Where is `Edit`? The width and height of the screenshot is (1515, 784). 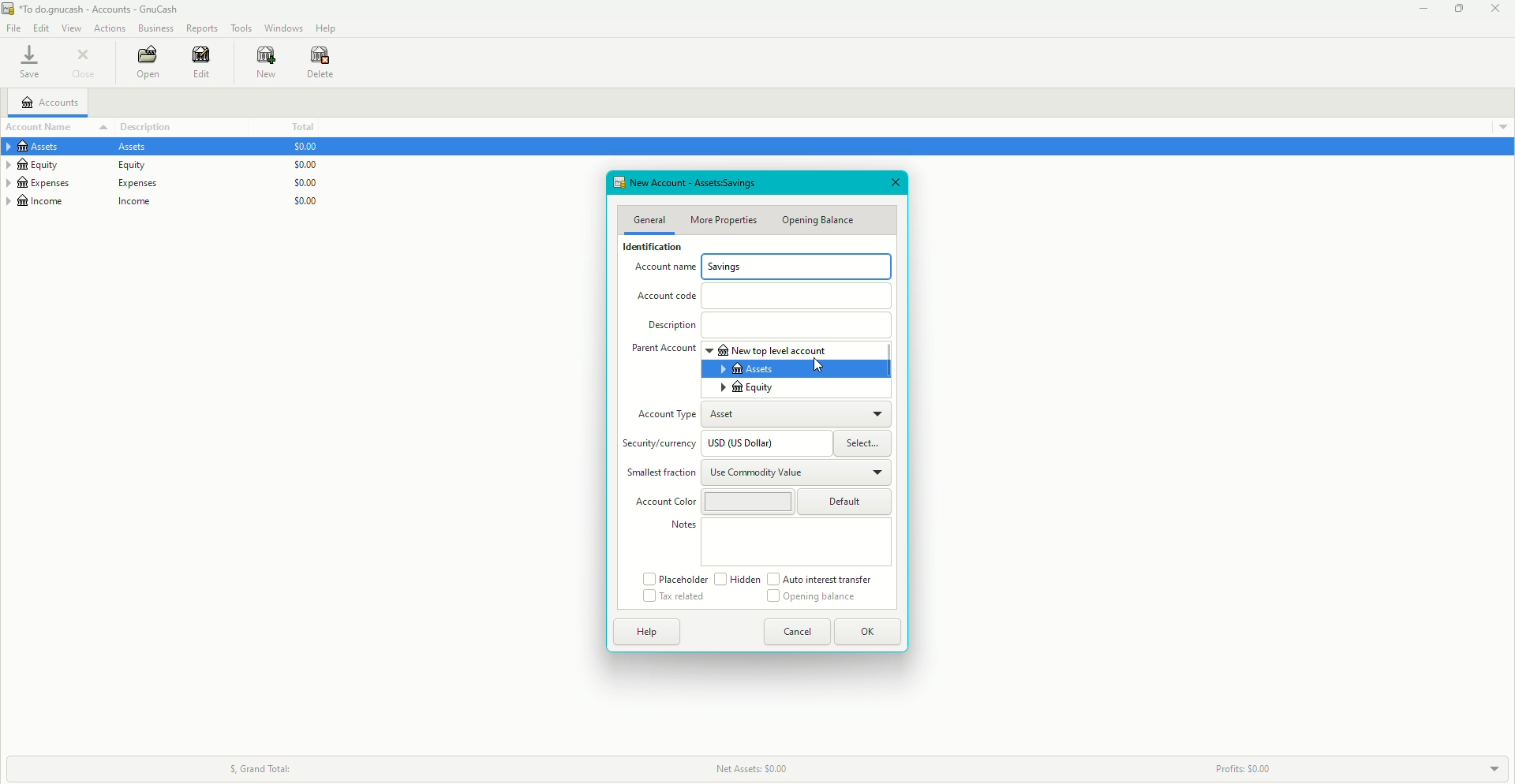 Edit is located at coordinates (41, 28).